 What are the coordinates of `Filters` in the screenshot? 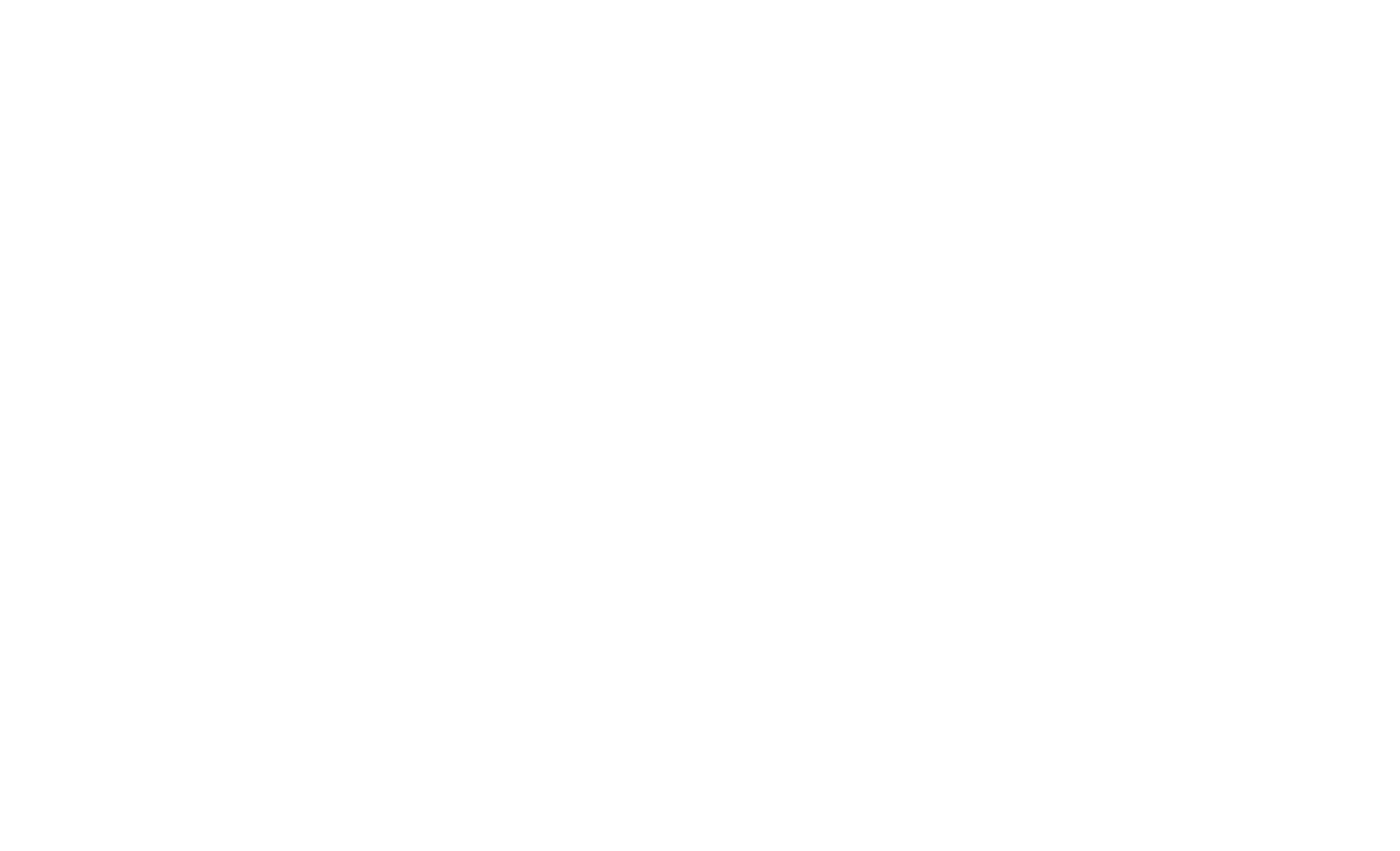 It's located at (356, 524).